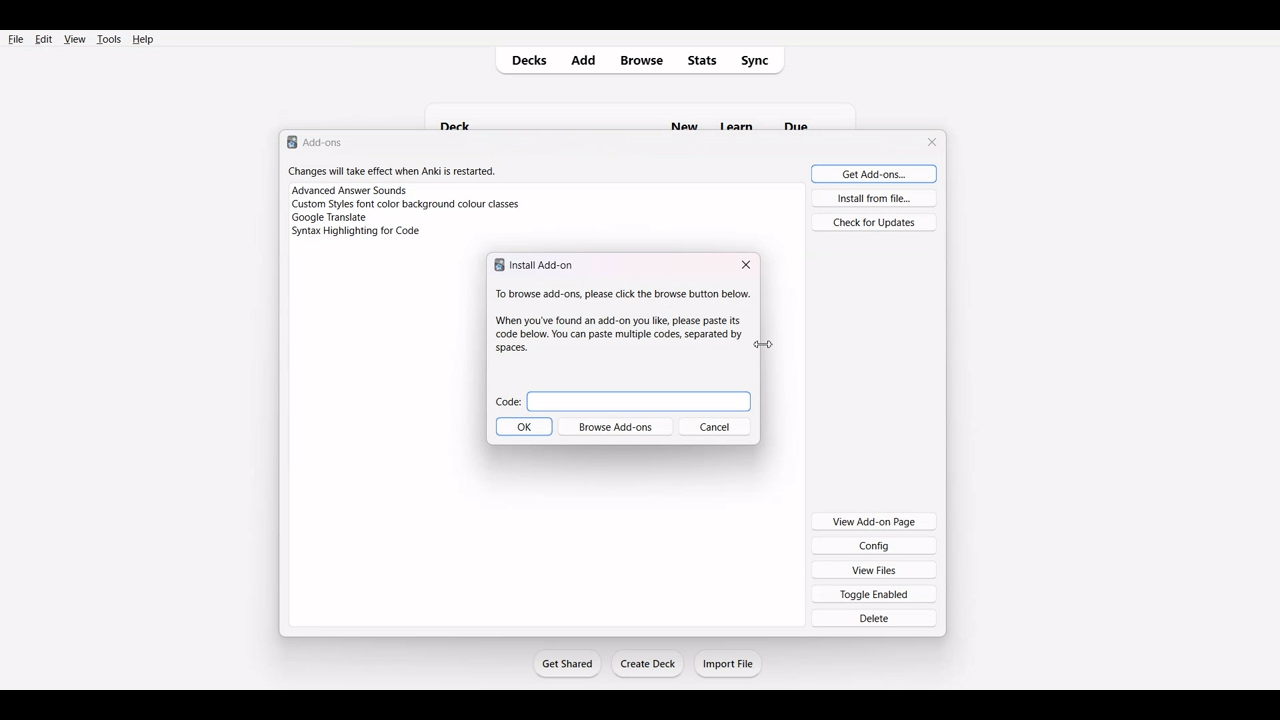 The width and height of the screenshot is (1280, 720). I want to click on Browse Add-ons, so click(619, 428).